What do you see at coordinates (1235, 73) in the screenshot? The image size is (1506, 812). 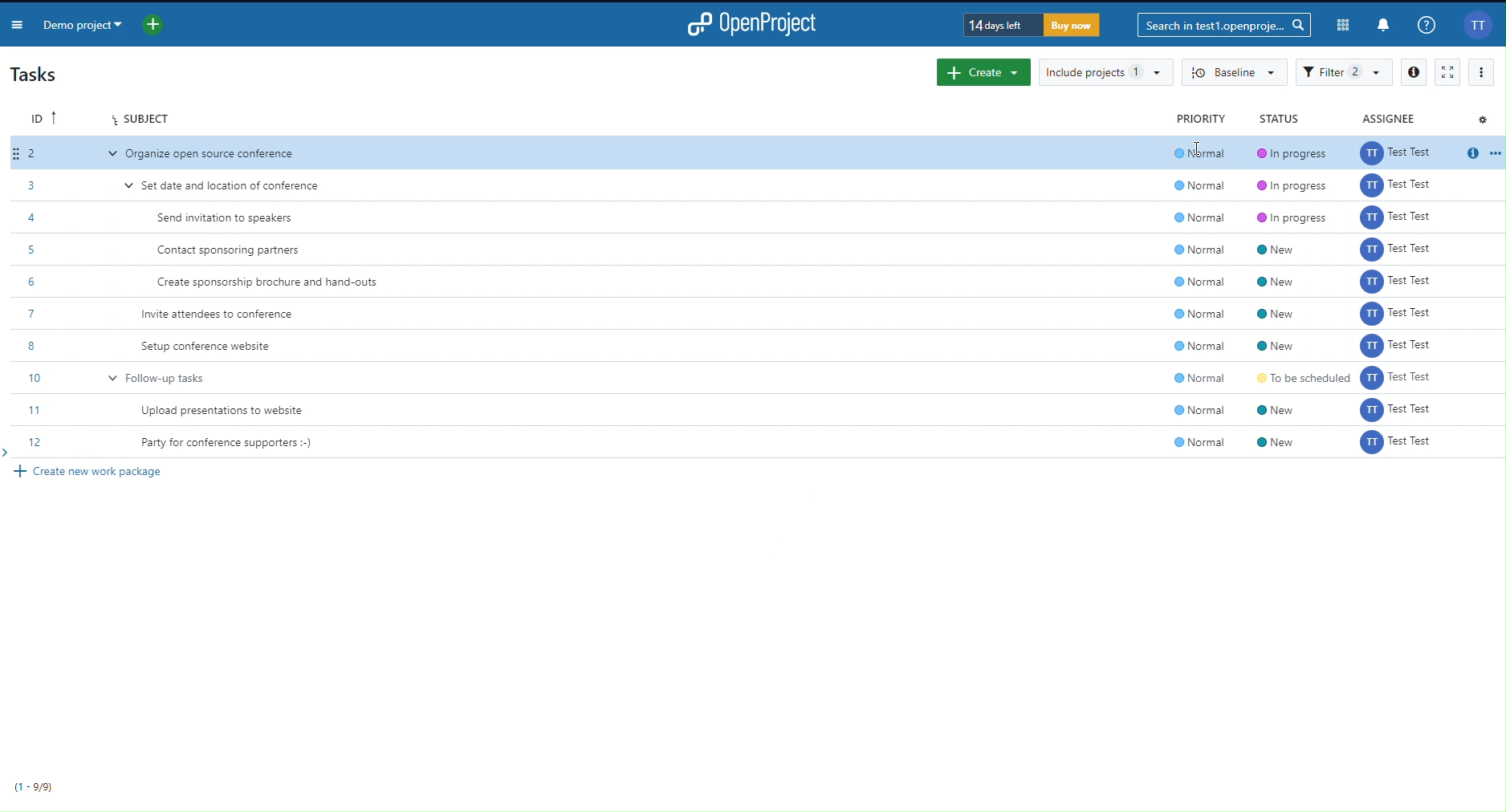 I see `Baseline` at bounding box center [1235, 73].